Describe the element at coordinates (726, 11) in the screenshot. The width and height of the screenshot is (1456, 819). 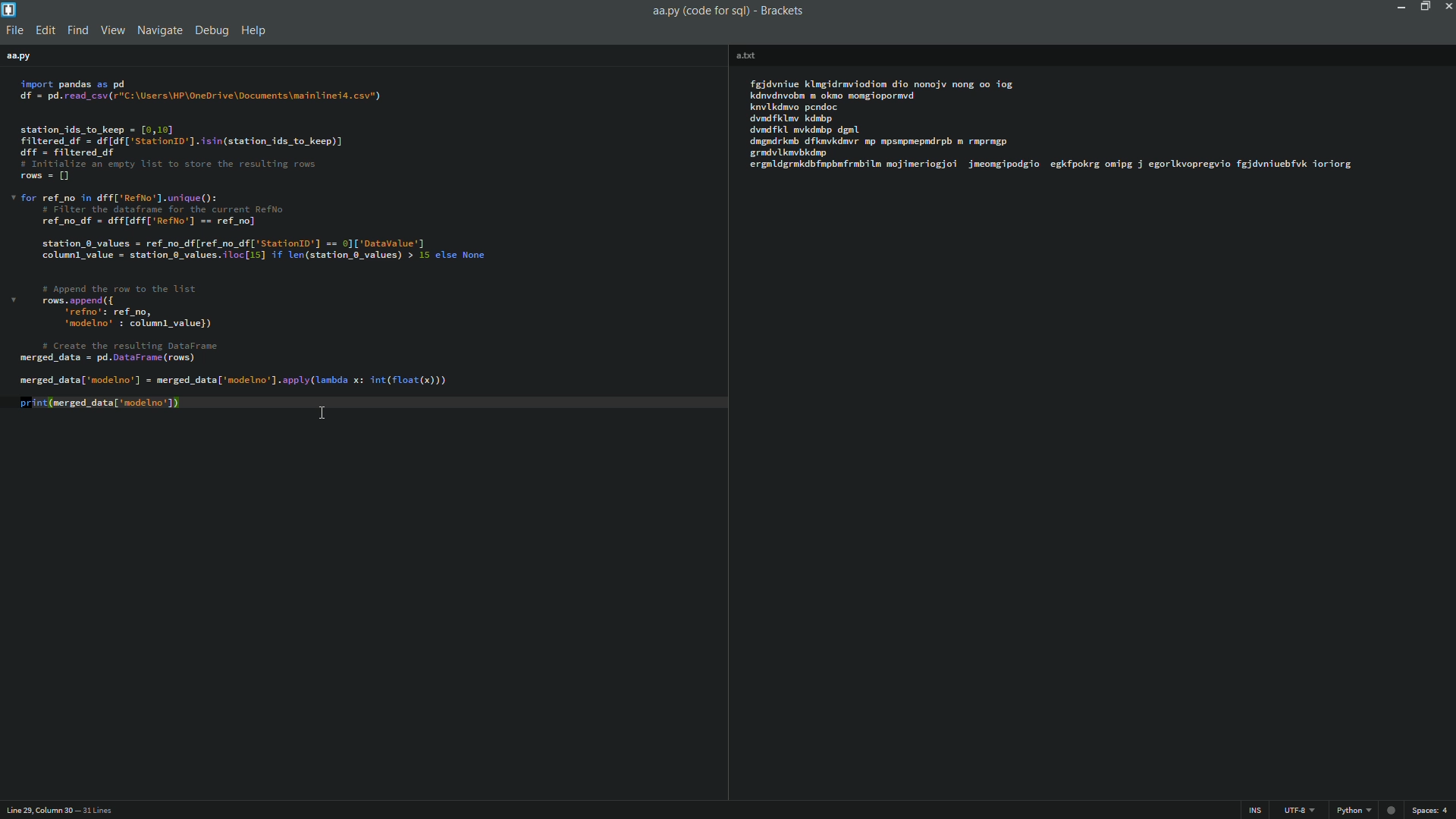
I see `aa.py(code for sql) brackets` at that location.